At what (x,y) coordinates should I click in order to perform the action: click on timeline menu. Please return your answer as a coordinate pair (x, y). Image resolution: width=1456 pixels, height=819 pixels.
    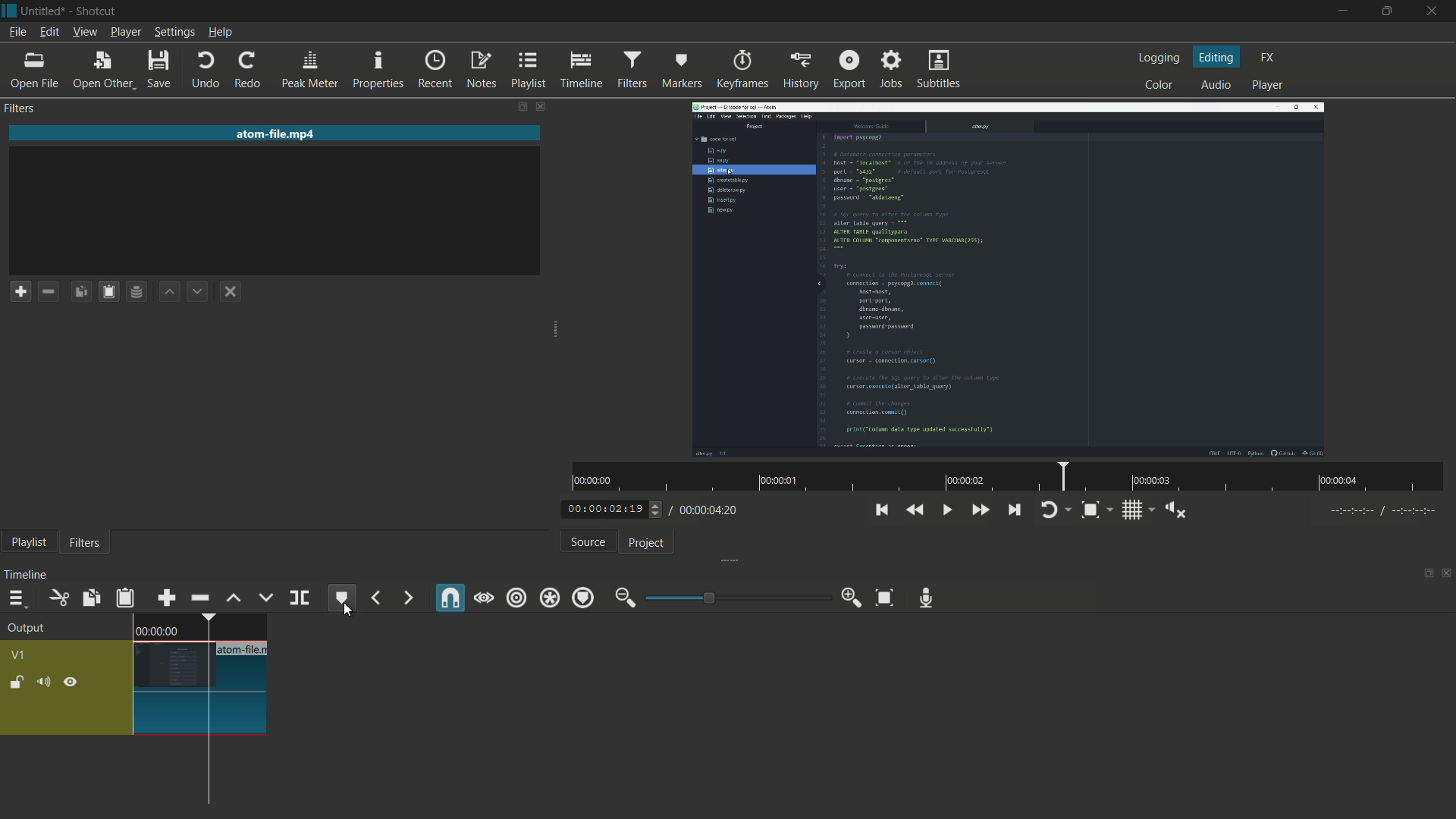
    Looking at the image, I should click on (16, 599).